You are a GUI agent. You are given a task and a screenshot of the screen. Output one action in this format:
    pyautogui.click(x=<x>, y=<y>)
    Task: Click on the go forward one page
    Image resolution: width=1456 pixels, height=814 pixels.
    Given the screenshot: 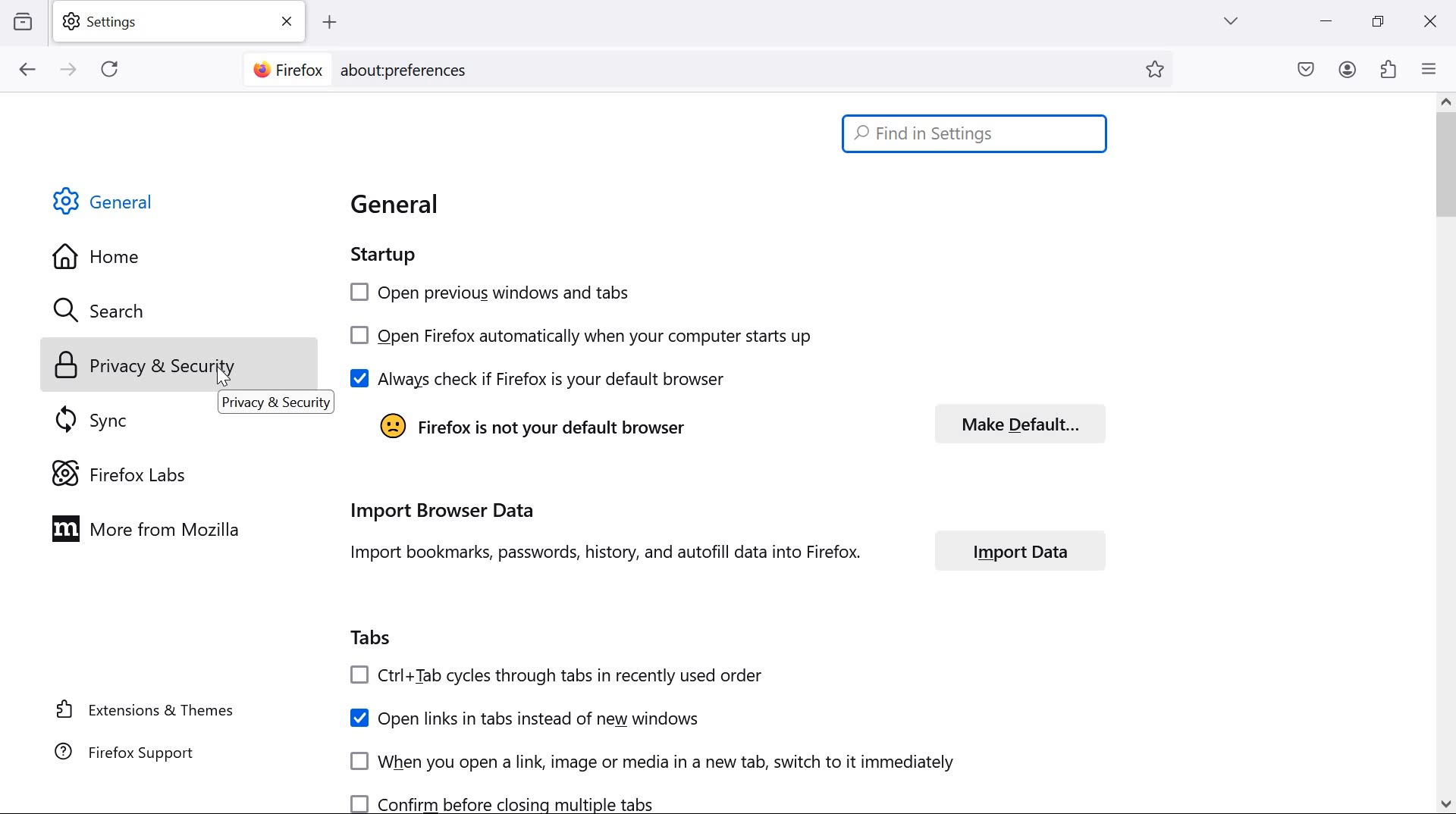 What is the action you would take?
    pyautogui.click(x=71, y=70)
    